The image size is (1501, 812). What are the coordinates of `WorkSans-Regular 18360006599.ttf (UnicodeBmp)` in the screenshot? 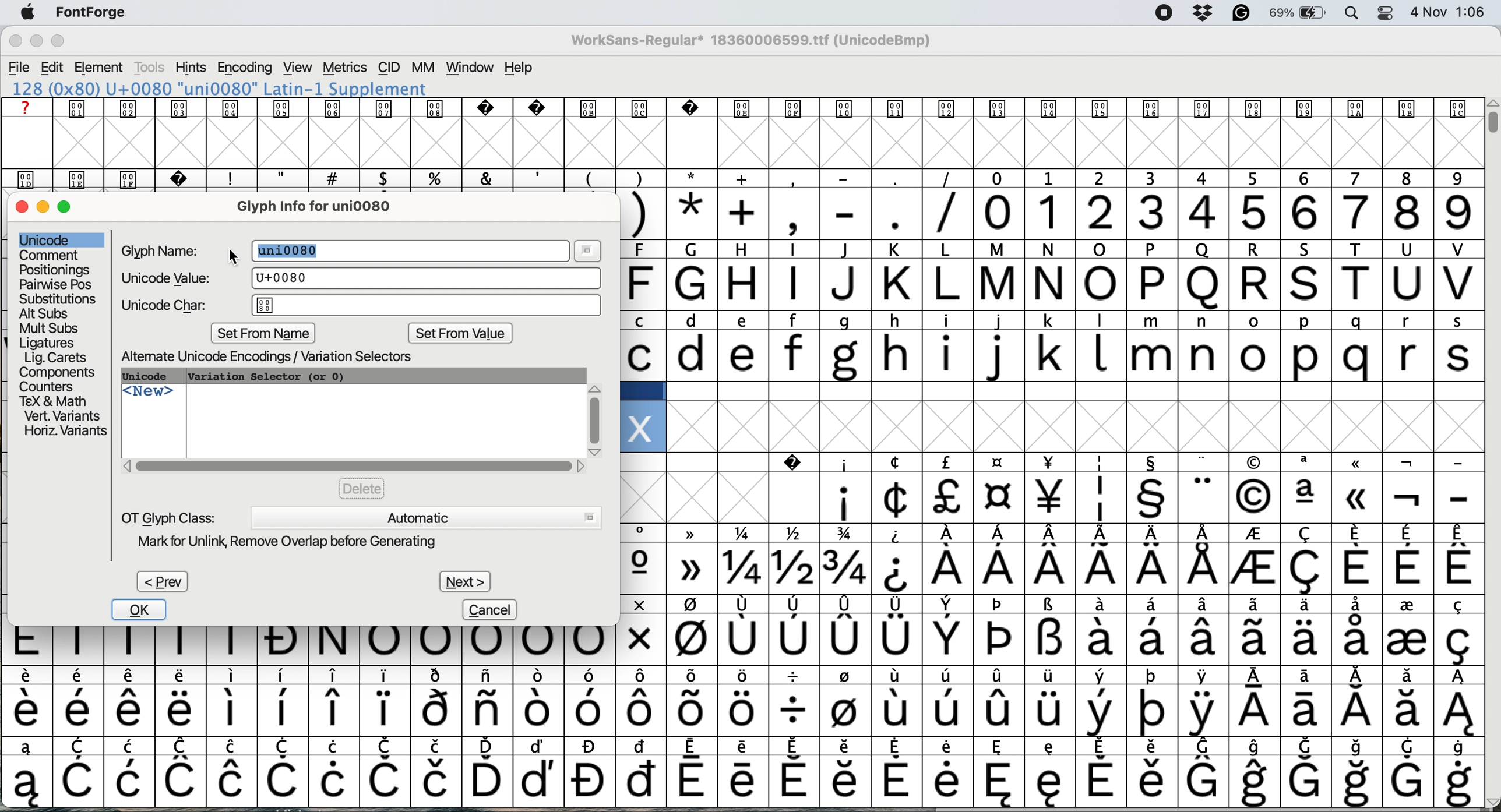 It's located at (756, 43).